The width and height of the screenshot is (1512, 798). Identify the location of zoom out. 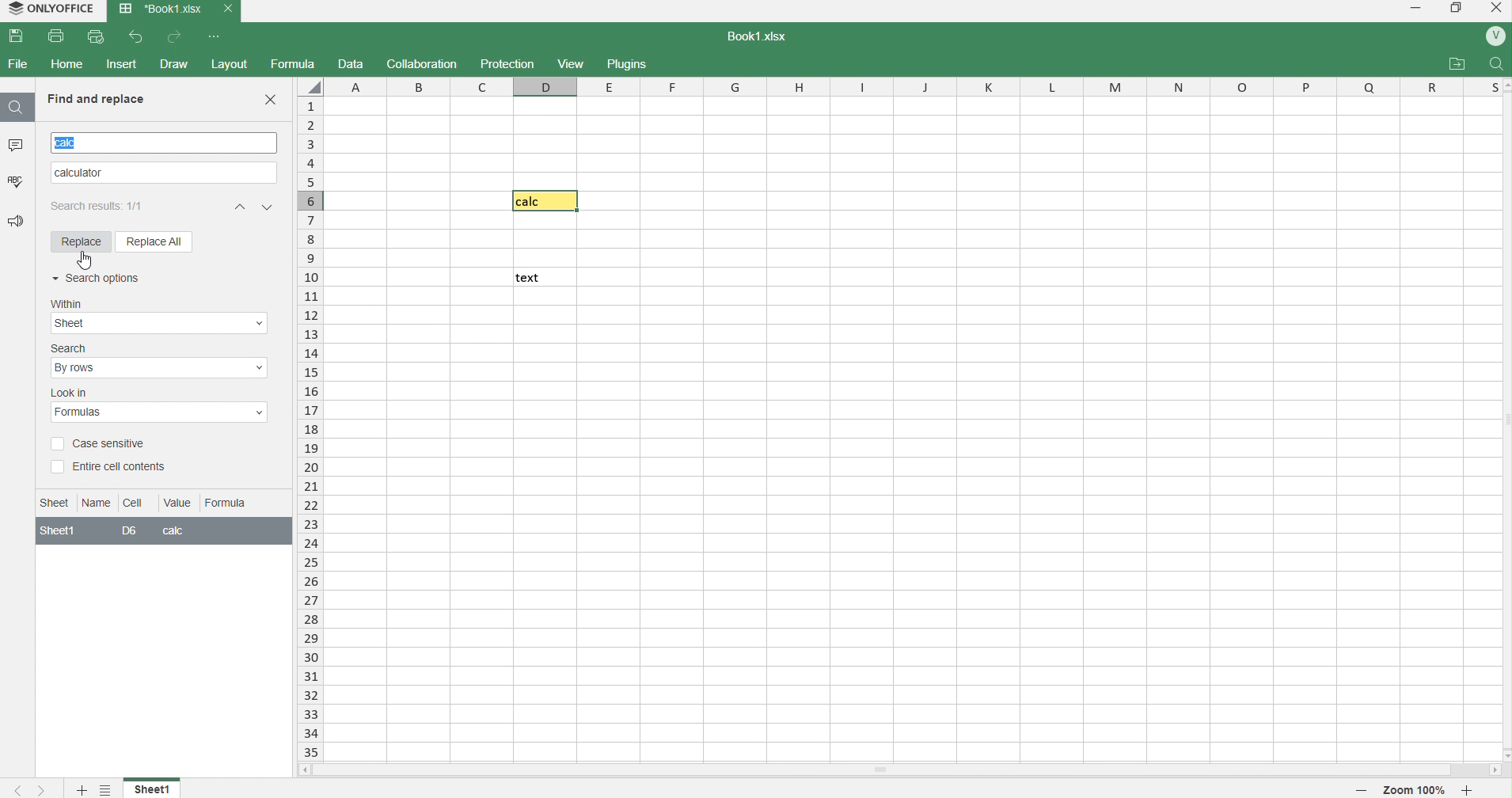
(1359, 791).